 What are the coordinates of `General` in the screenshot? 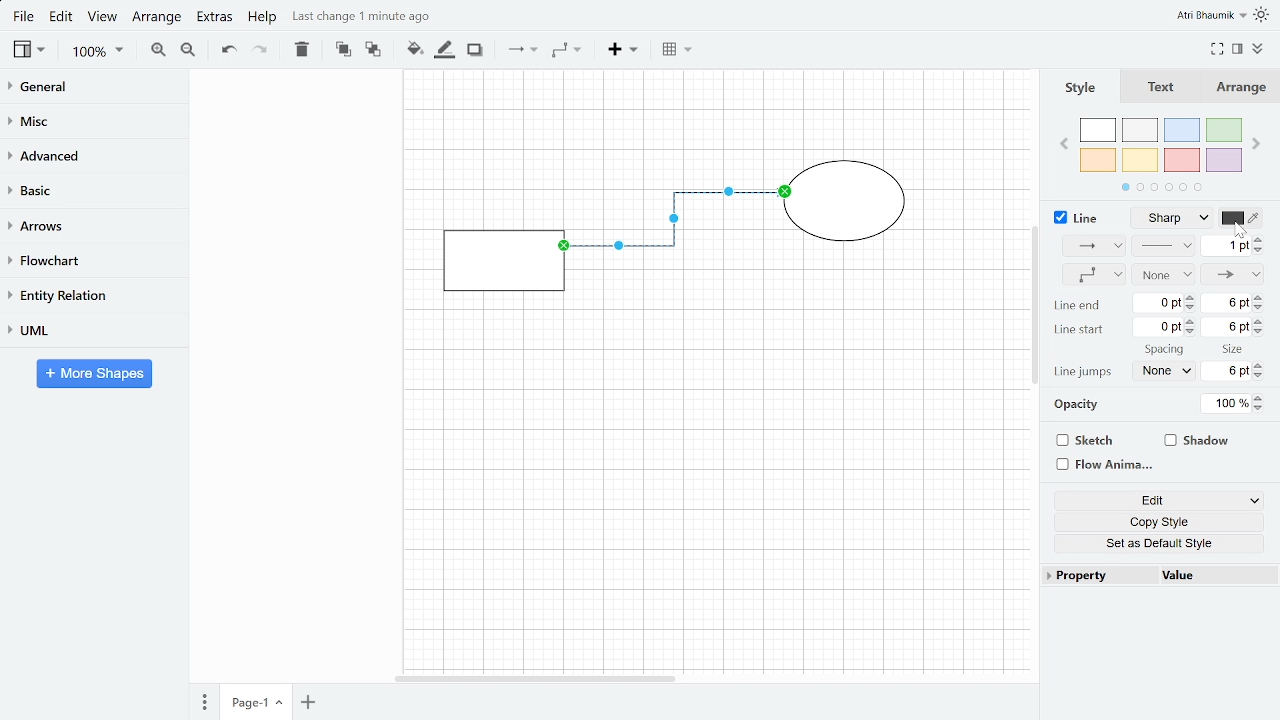 It's located at (93, 89).